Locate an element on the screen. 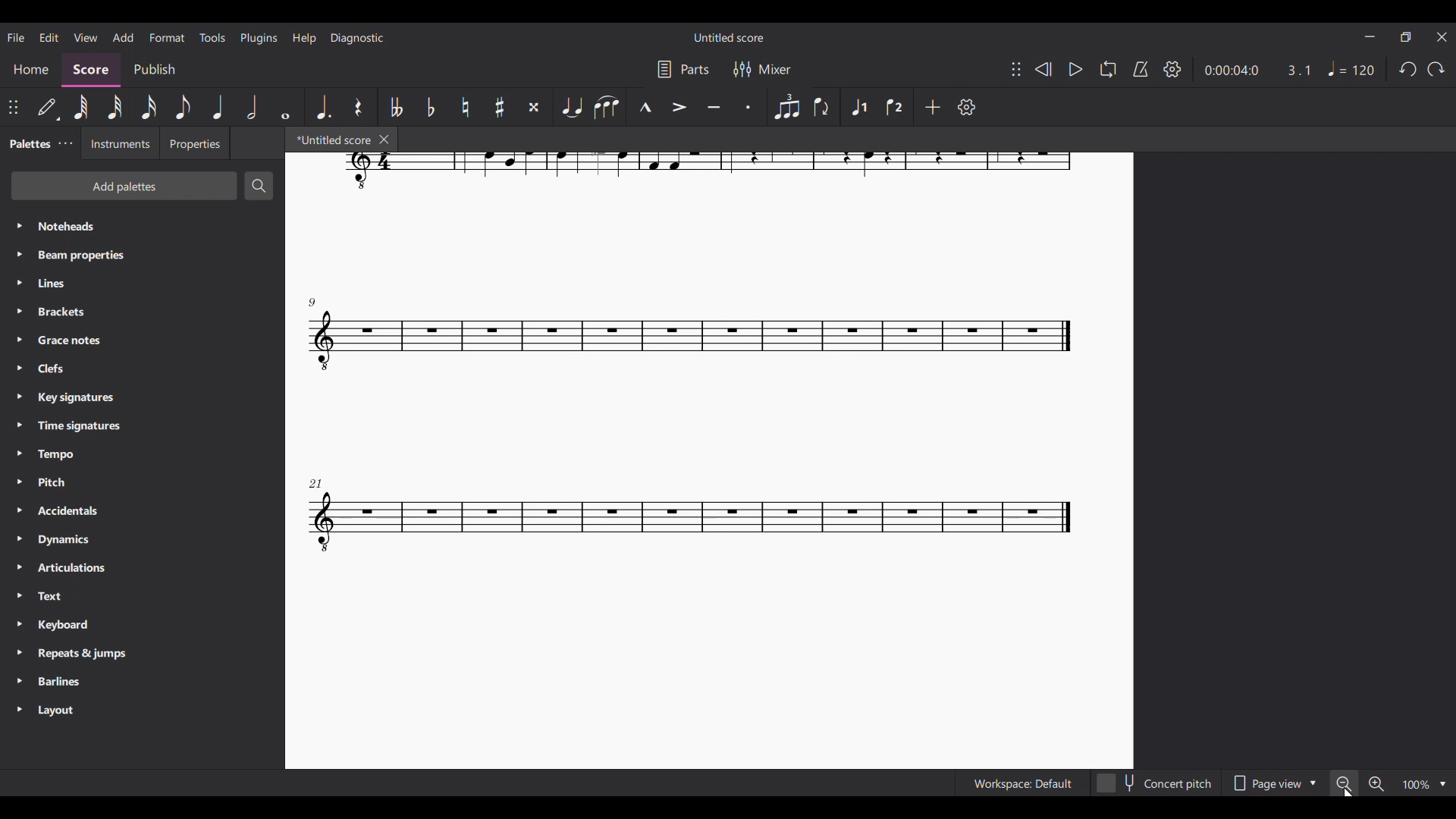 Image resolution: width=1456 pixels, height=819 pixels. Toggle flat is located at coordinates (431, 107).